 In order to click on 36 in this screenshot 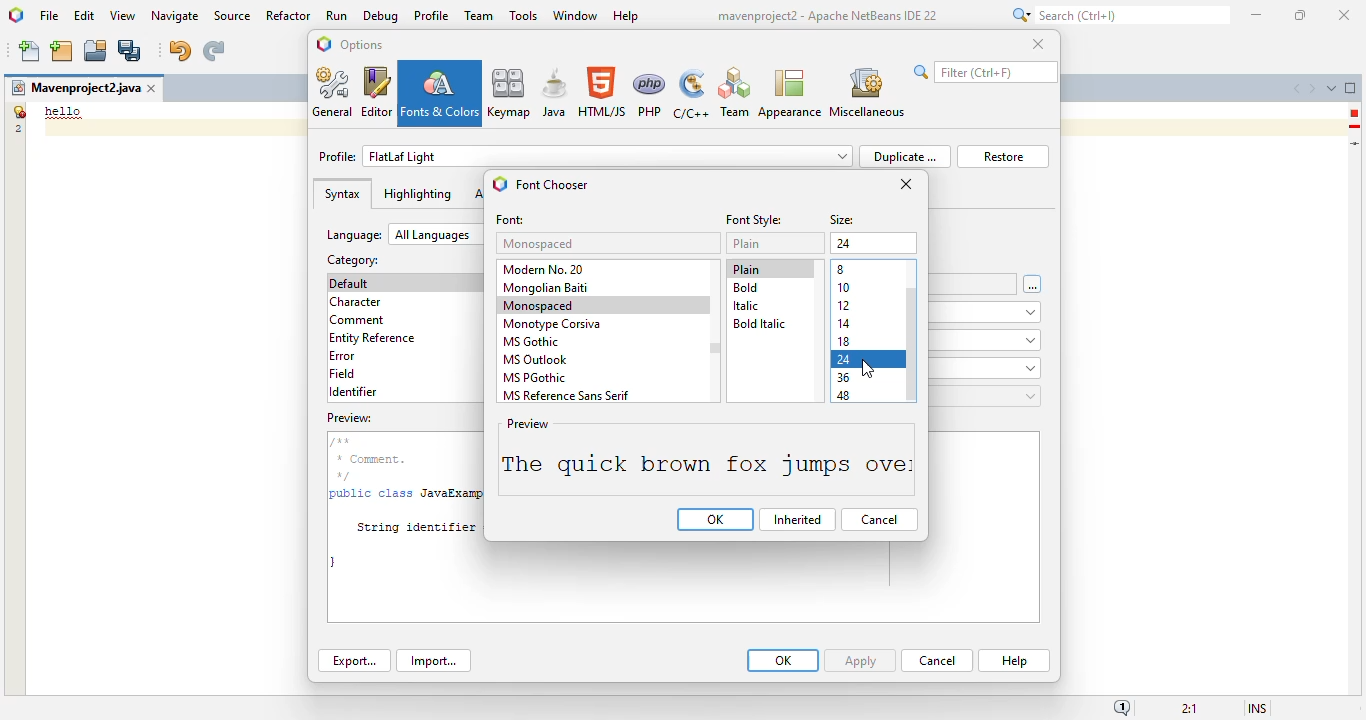, I will do `click(844, 379)`.